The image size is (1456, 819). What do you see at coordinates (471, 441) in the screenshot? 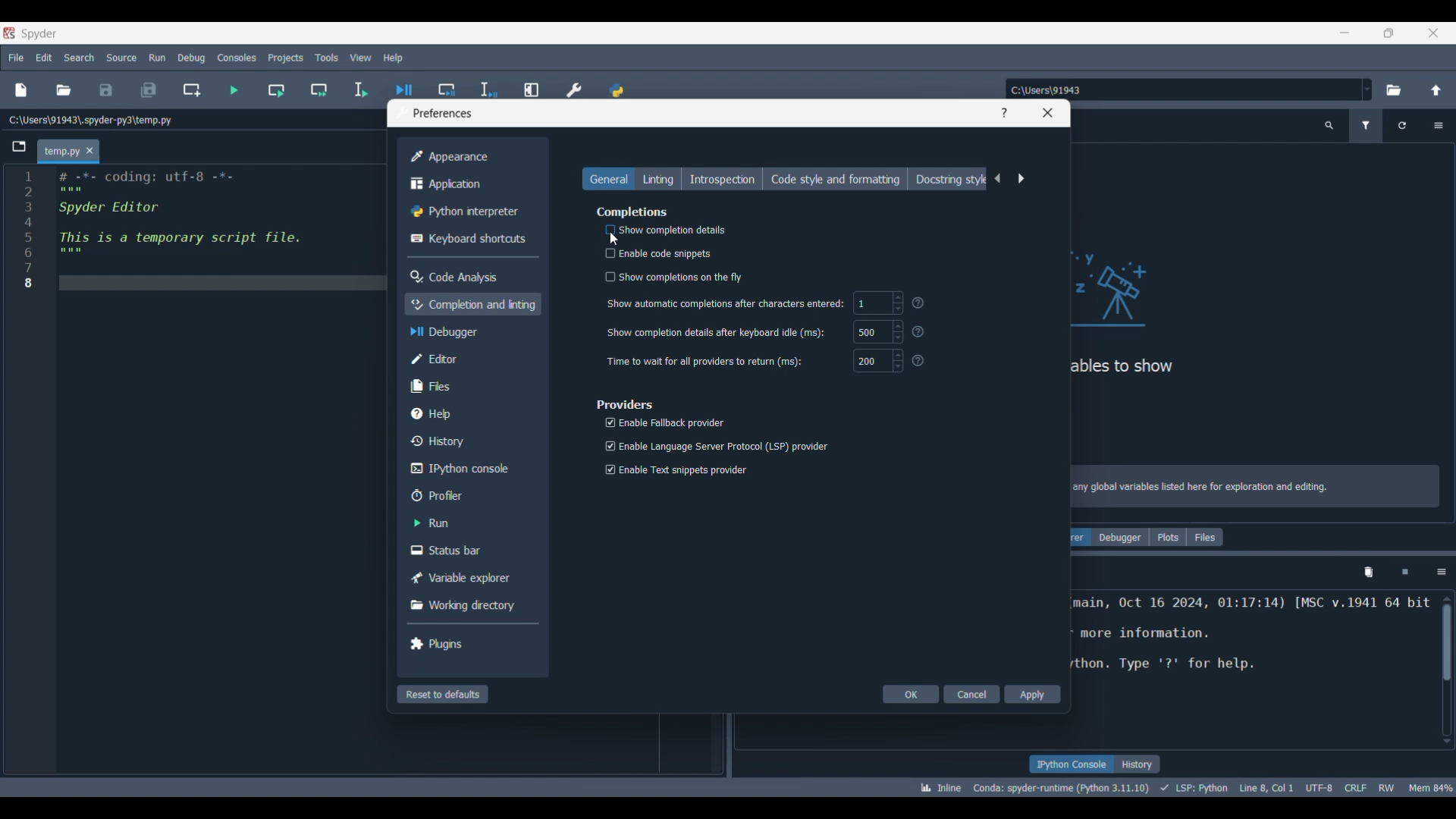
I see `History` at bounding box center [471, 441].